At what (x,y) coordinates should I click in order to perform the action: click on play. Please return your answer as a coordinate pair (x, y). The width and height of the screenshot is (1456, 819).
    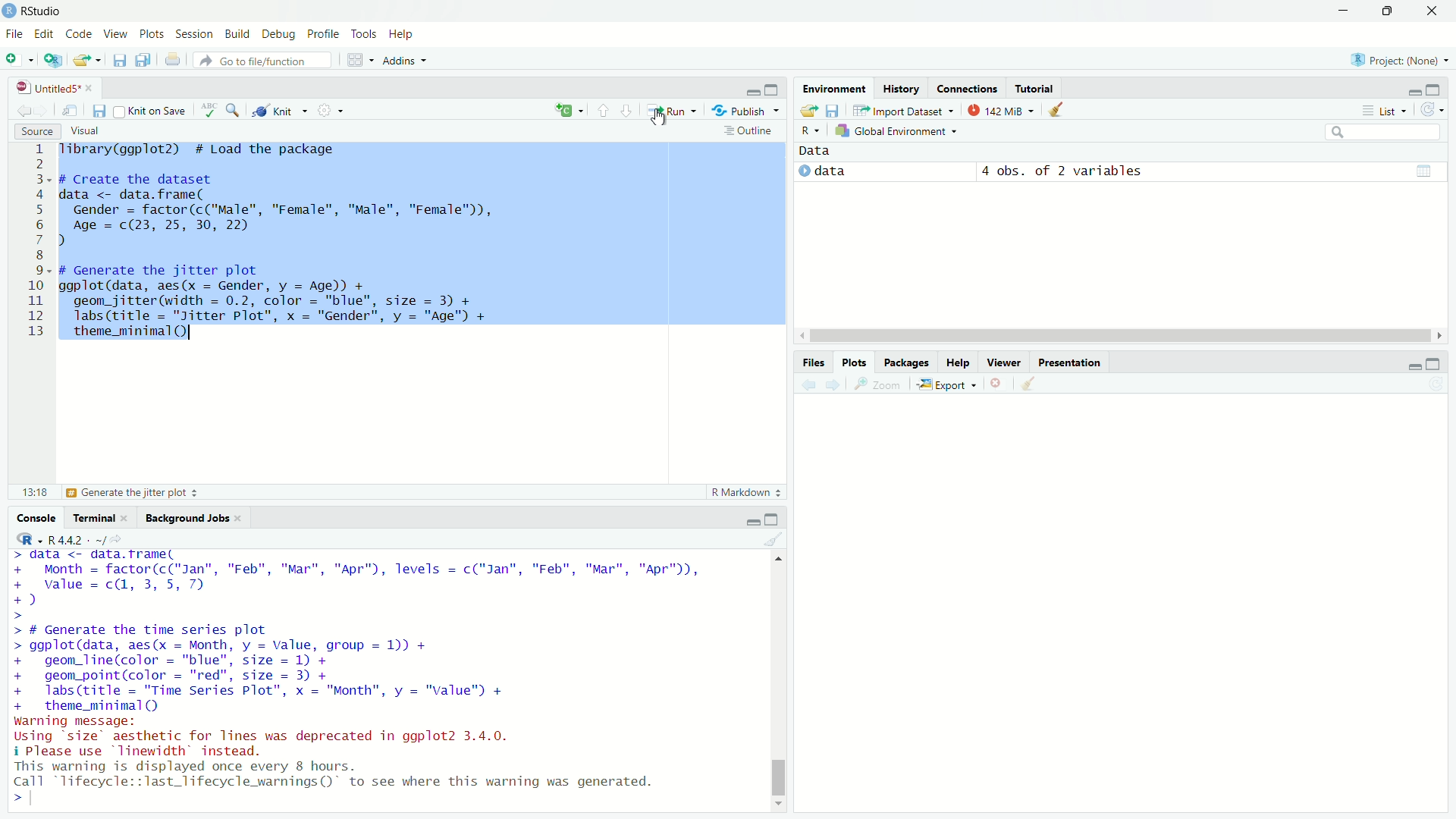
    Looking at the image, I should click on (805, 169).